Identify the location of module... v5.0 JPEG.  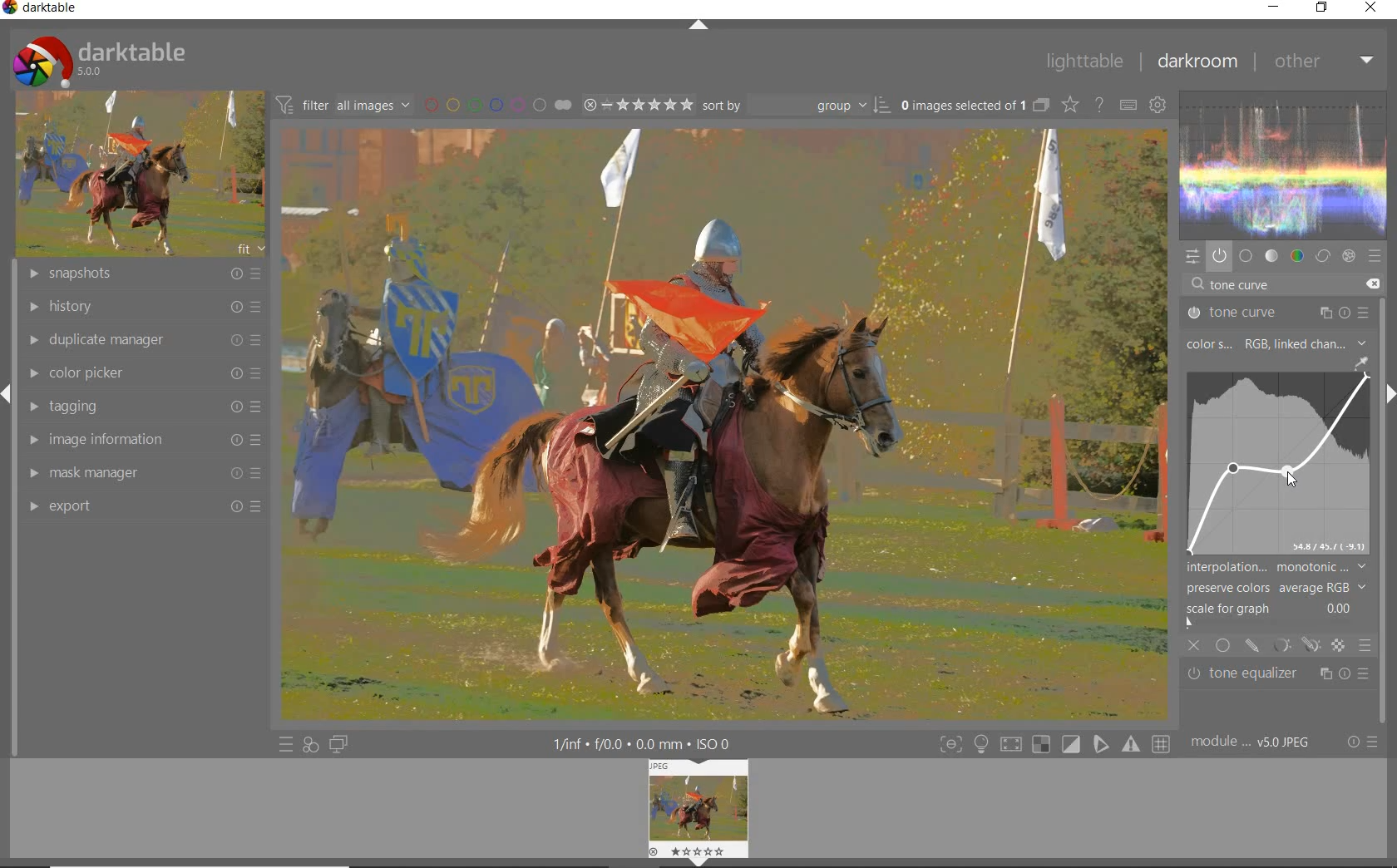
(1255, 742).